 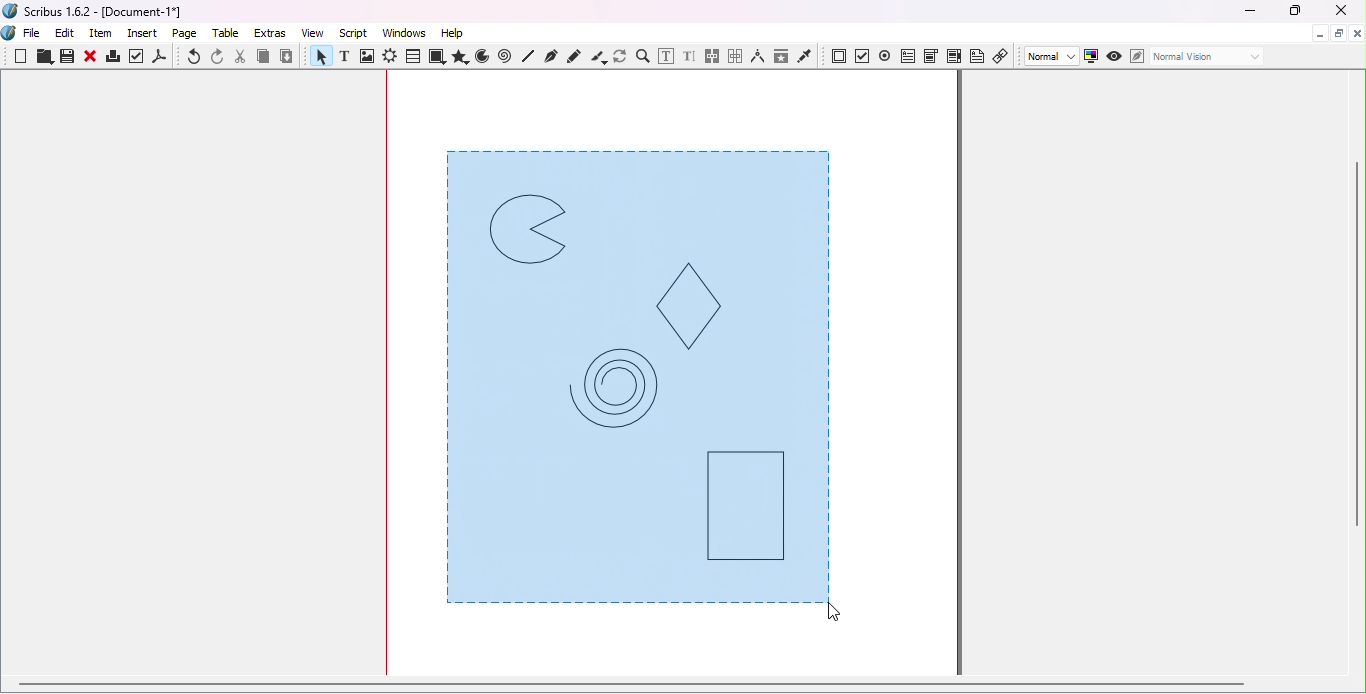 I want to click on Maximize, so click(x=1338, y=32).